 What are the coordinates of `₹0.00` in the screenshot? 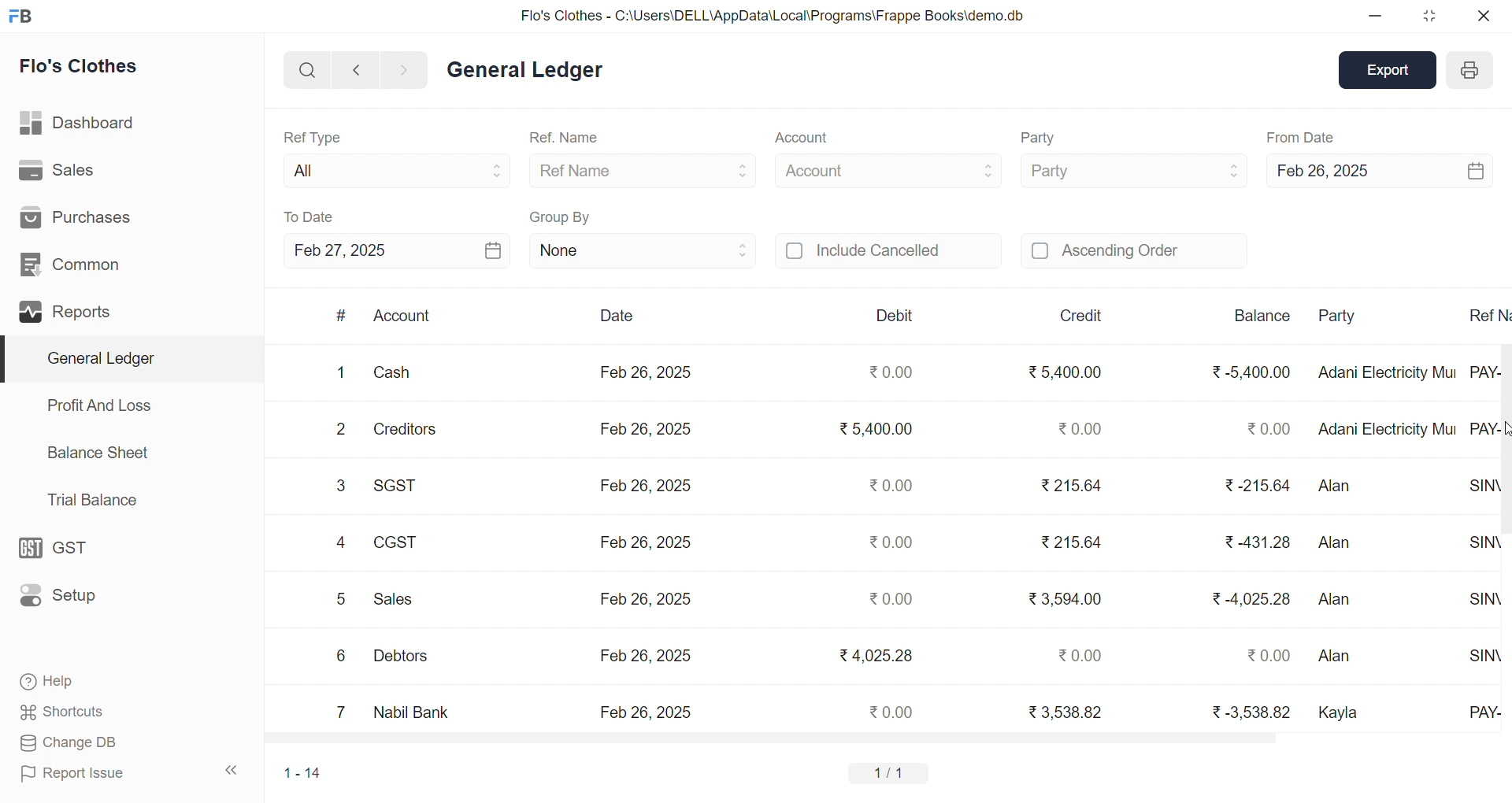 It's located at (1078, 427).